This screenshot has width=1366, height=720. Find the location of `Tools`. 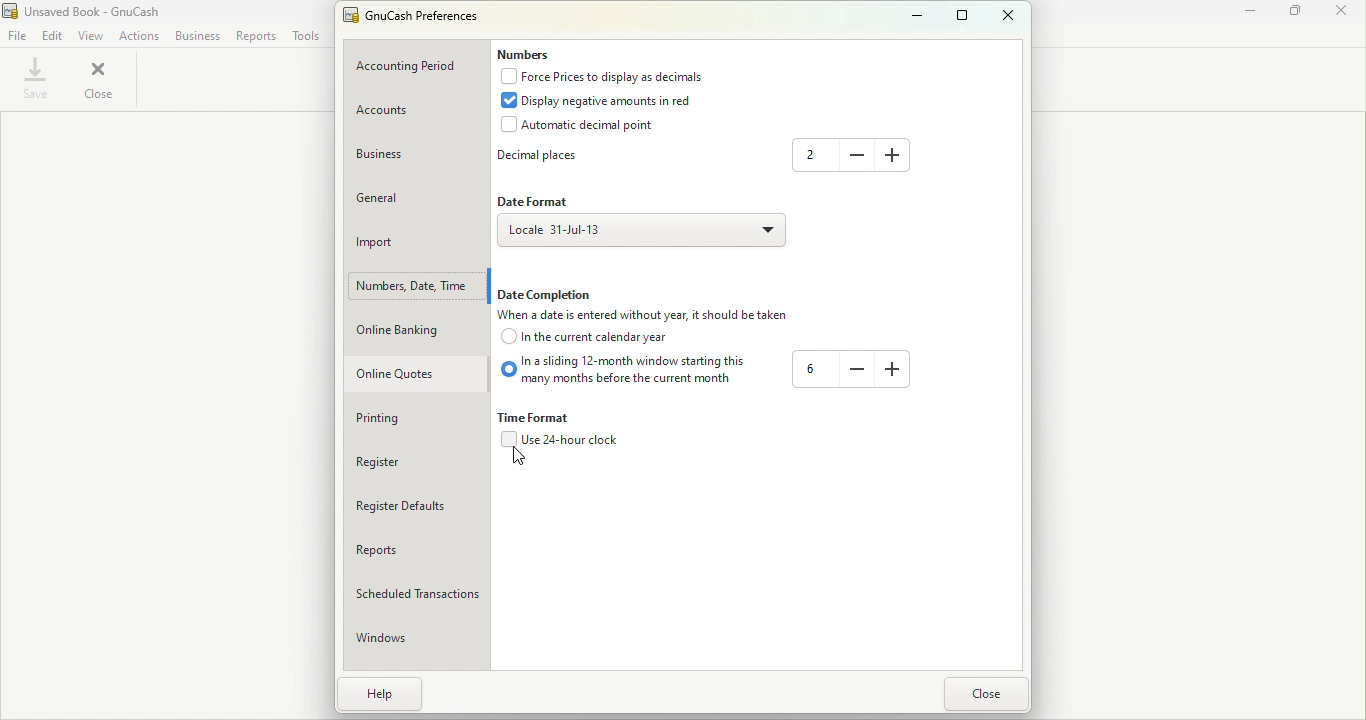

Tools is located at coordinates (306, 38).